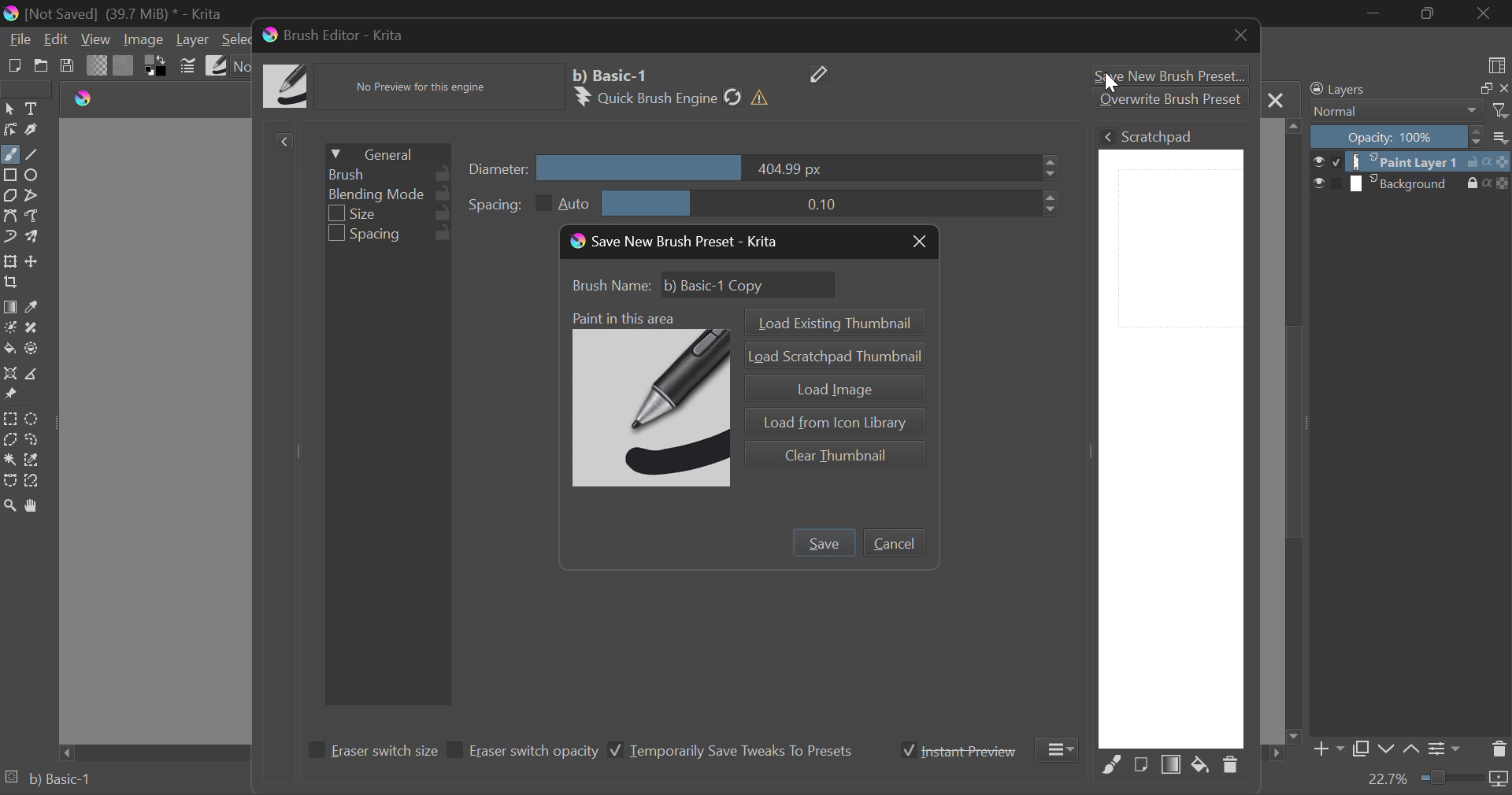 This screenshot has height=795, width=1512. I want to click on Edit, so click(57, 39).